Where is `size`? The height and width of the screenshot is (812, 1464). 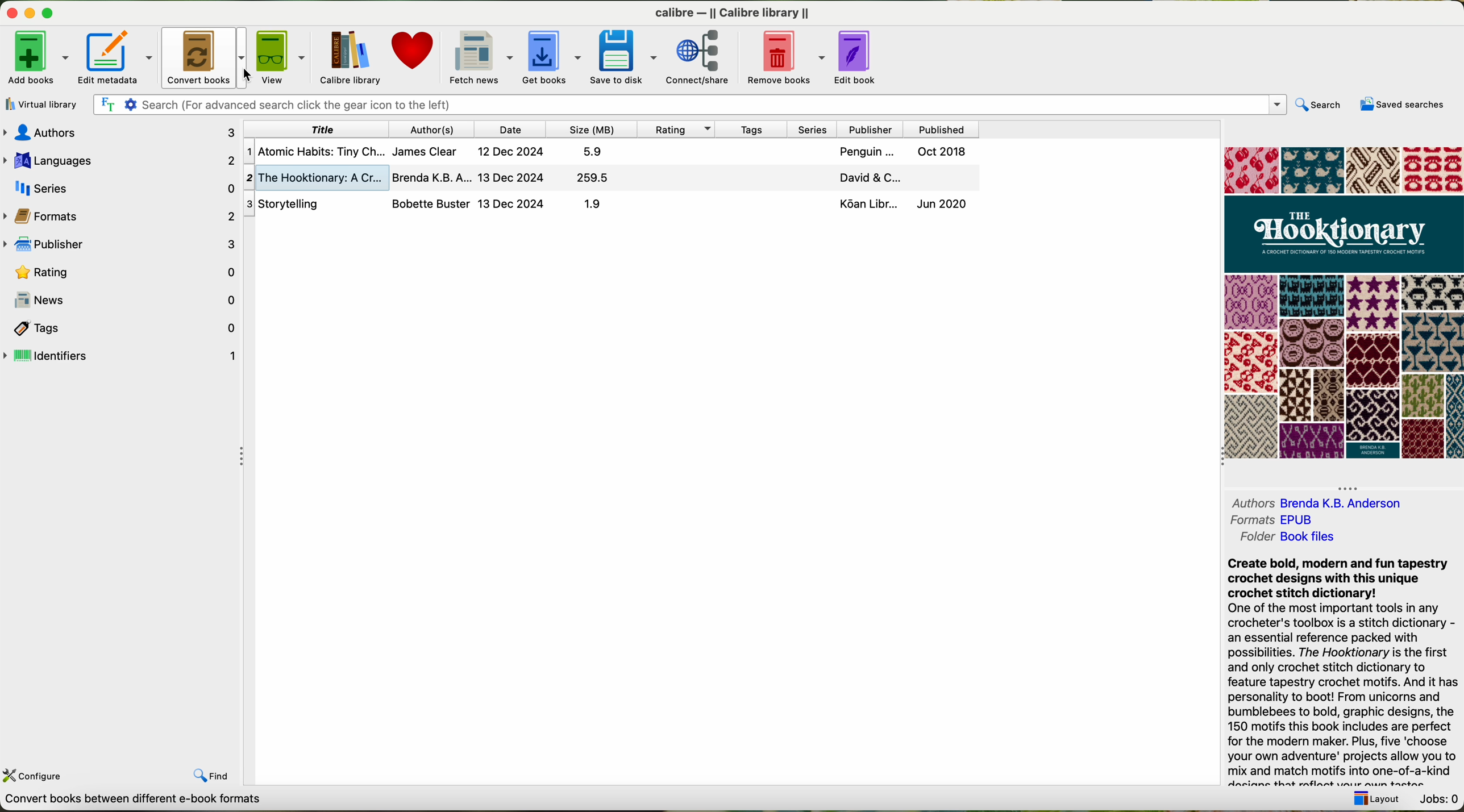 size is located at coordinates (589, 130).